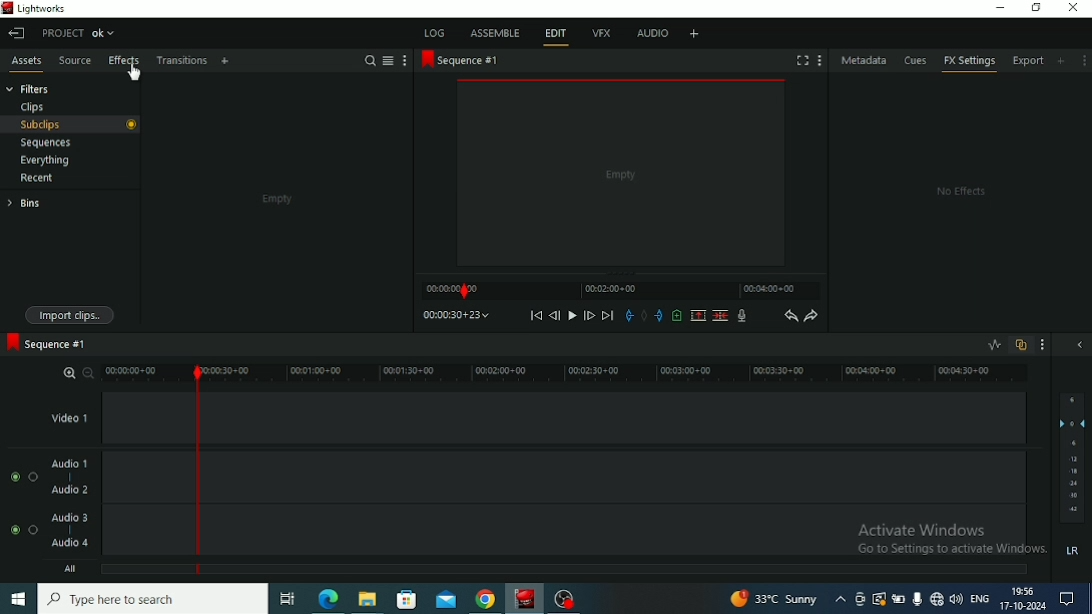 This screenshot has height=614, width=1092. I want to click on Seek bar , so click(198, 468).